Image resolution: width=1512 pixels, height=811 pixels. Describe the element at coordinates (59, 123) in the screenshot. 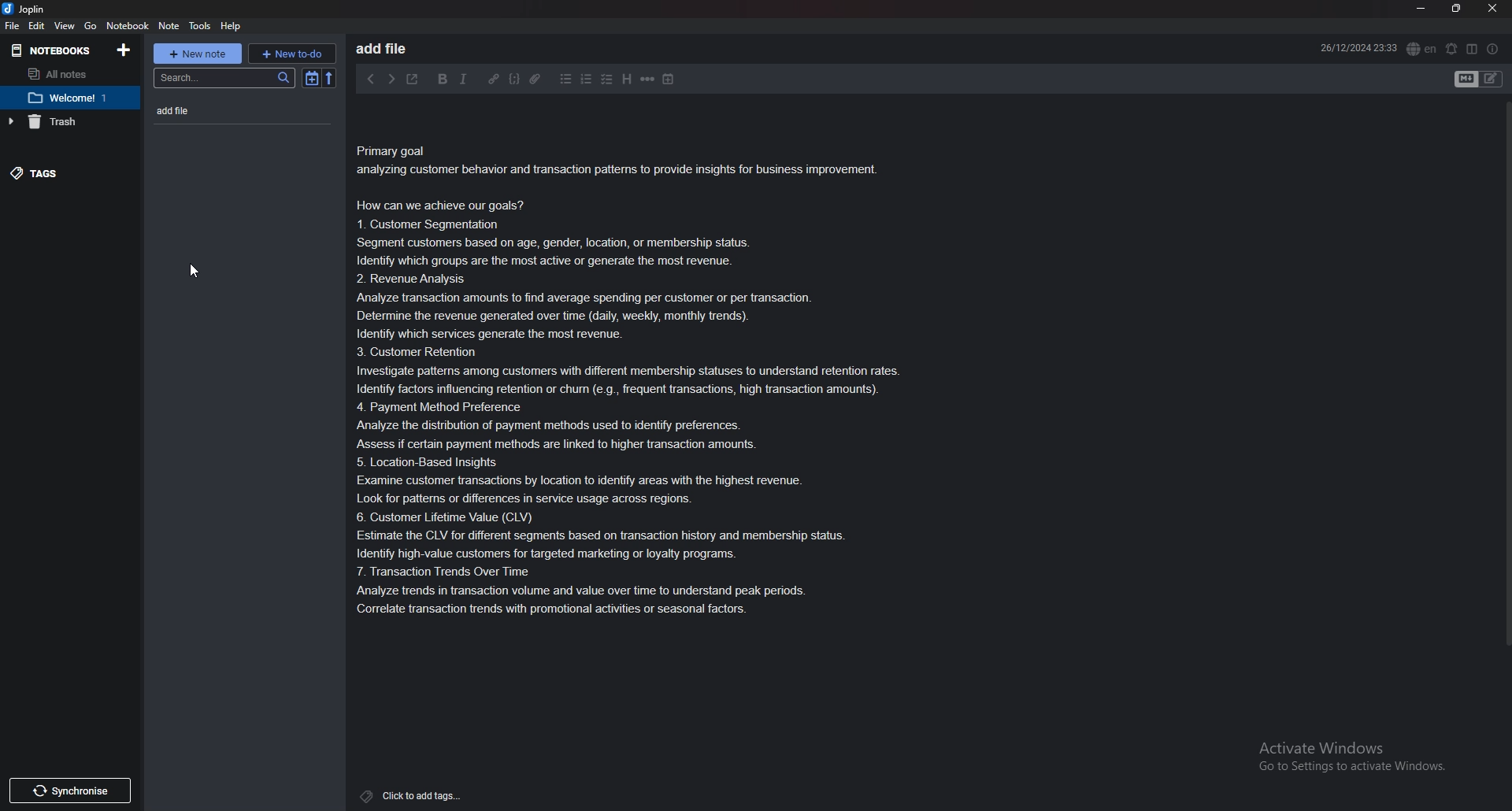

I see `trash` at that location.